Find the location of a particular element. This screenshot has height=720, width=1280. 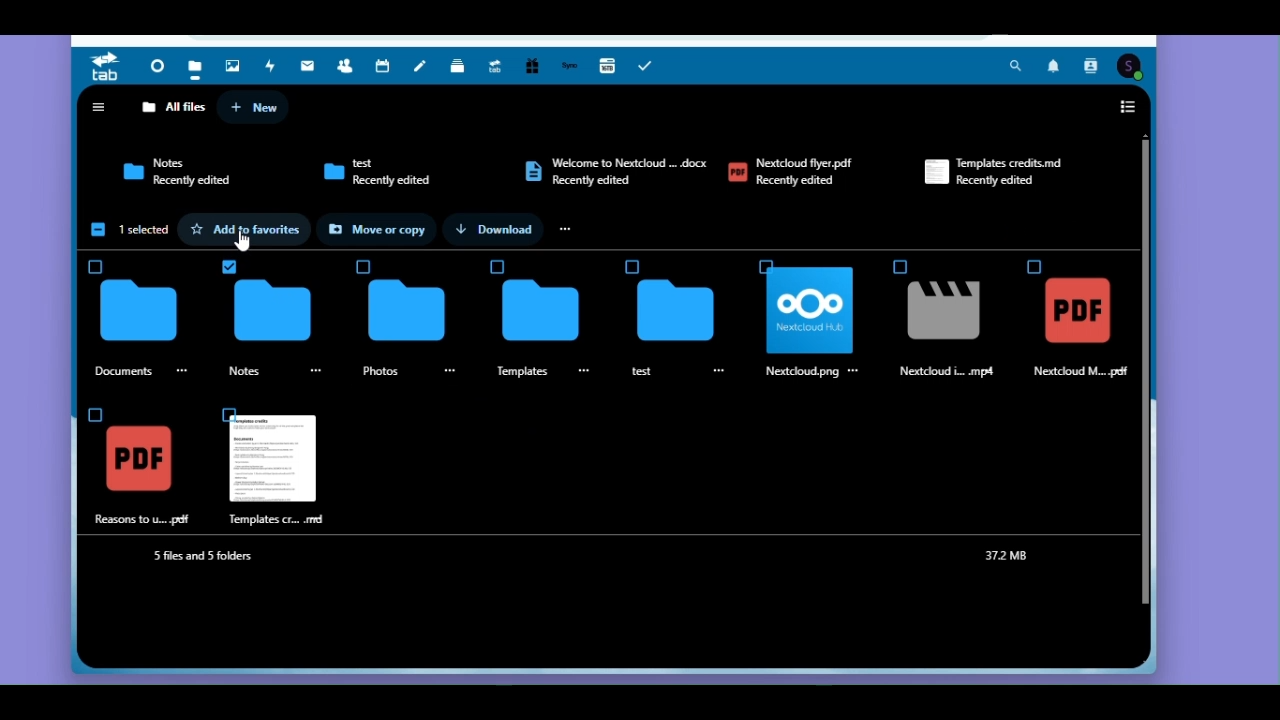

Mail is located at coordinates (307, 66).